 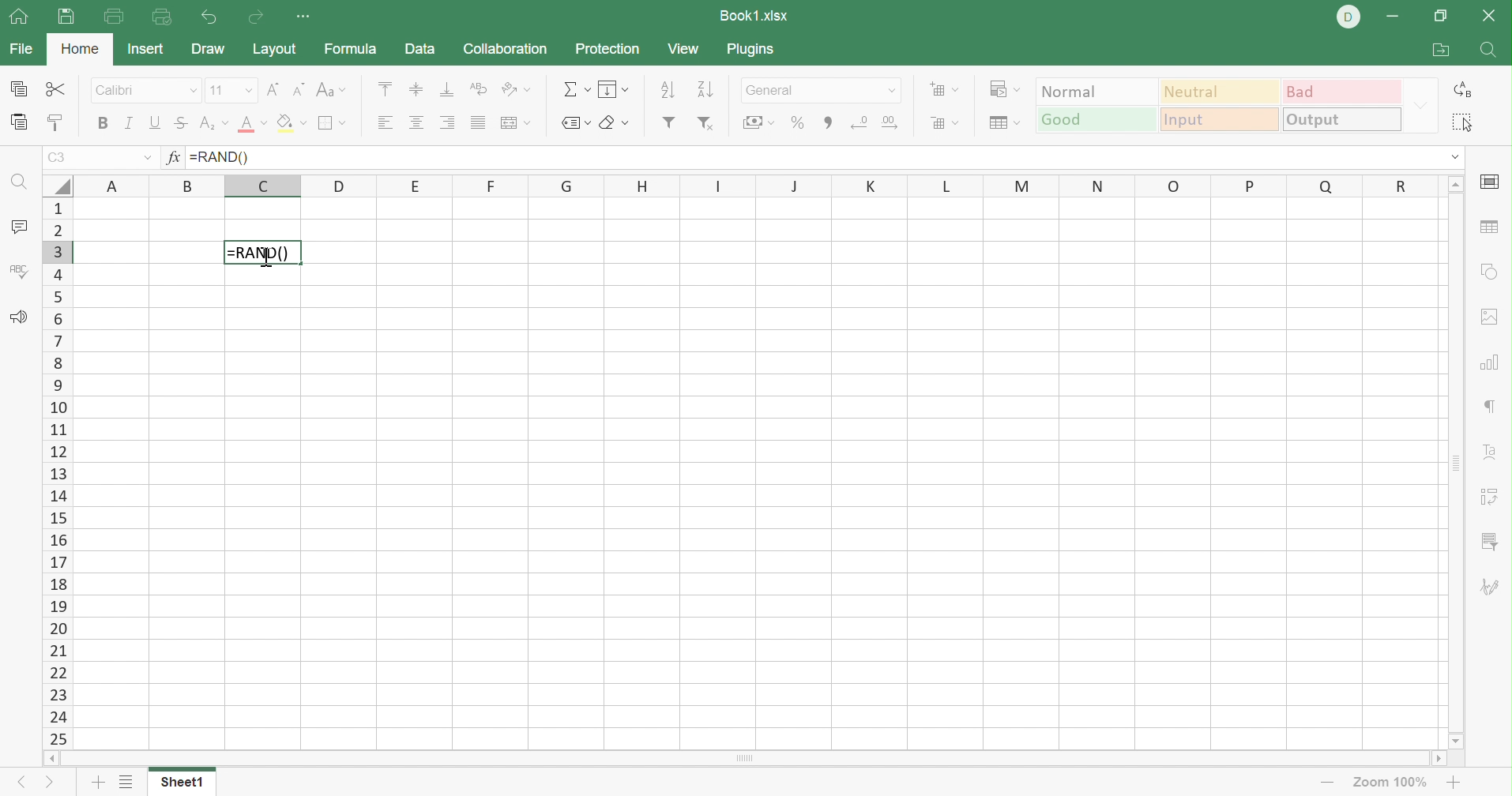 I want to click on Spell checking, so click(x=19, y=273).